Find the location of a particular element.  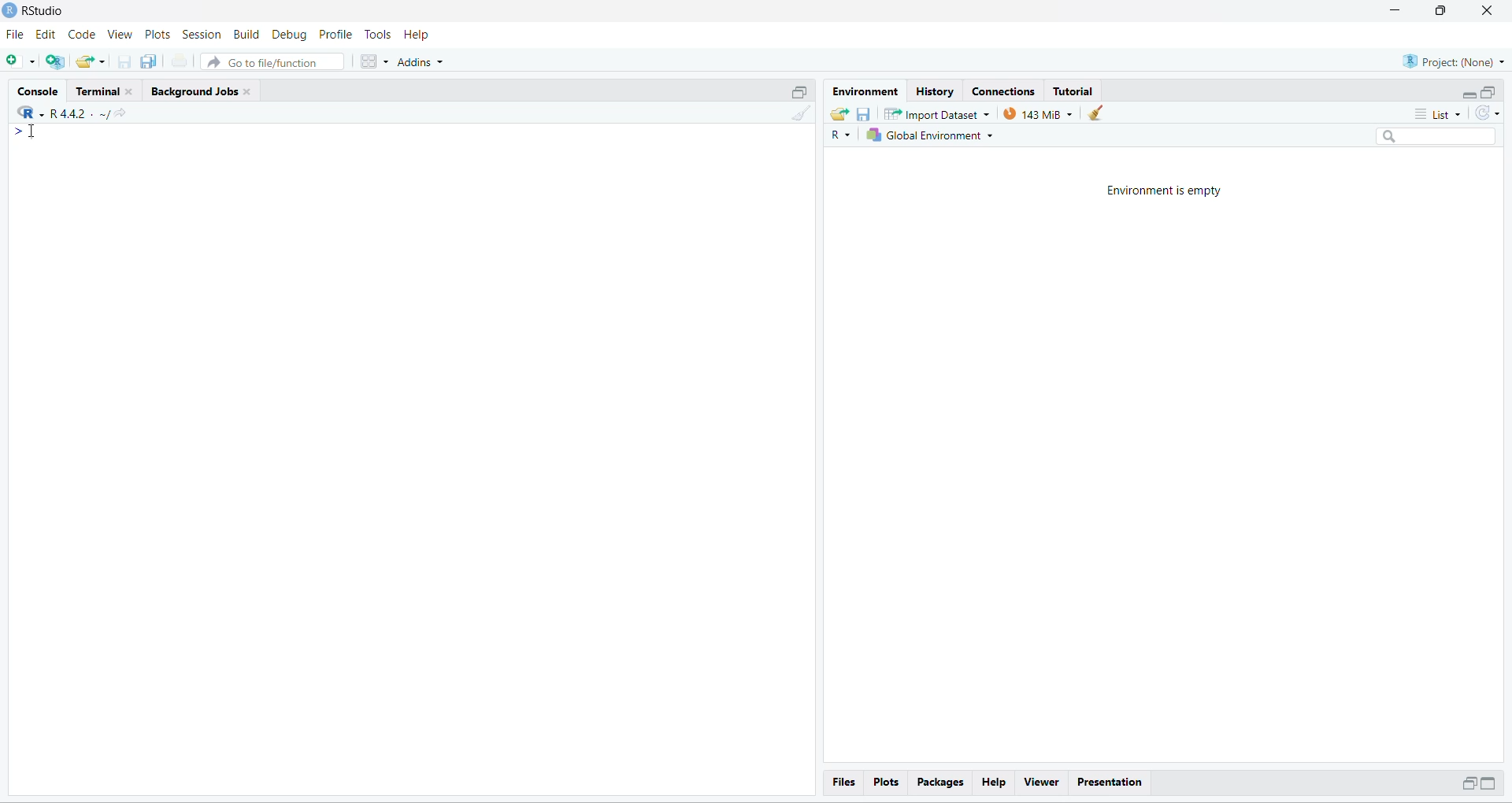

viewer is located at coordinates (1043, 783).